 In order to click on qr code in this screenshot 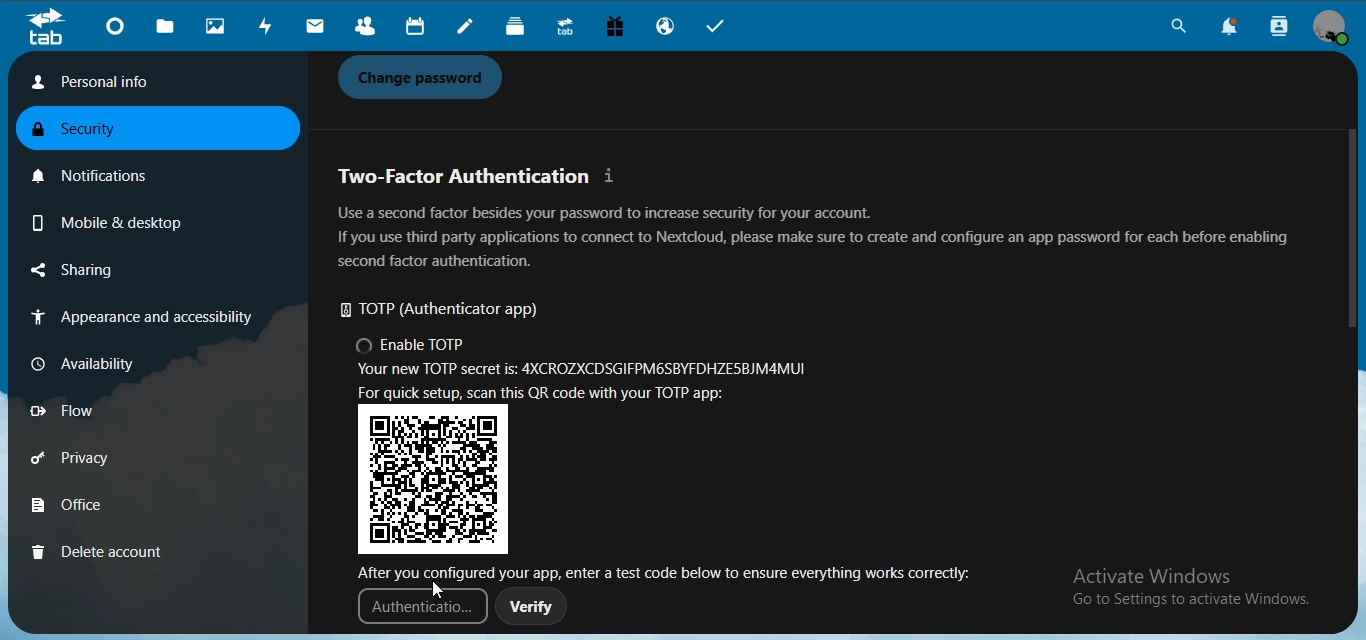, I will do `click(436, 479)`.